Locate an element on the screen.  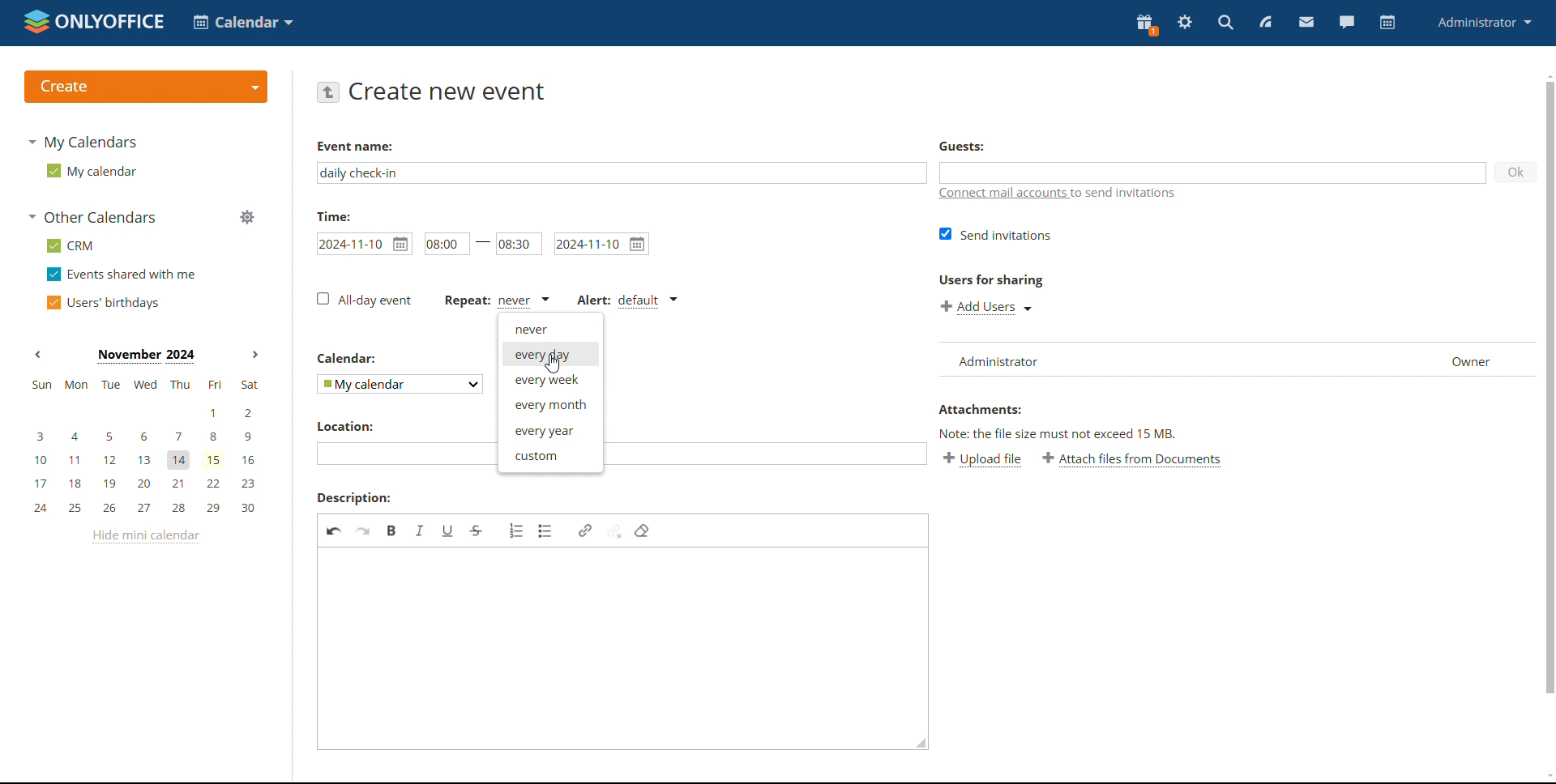
chat is located at coordinates (1346, 21).